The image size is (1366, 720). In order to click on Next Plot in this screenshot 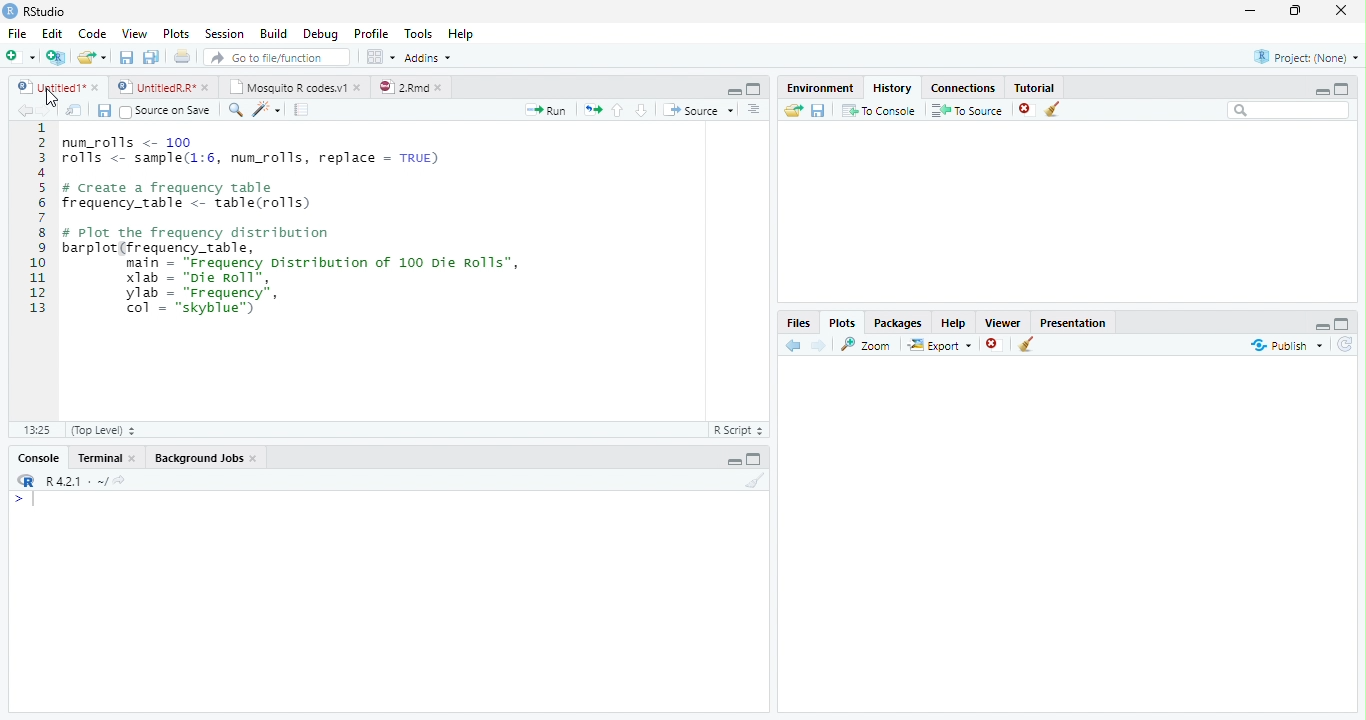, I will do `click(820, 345)`.